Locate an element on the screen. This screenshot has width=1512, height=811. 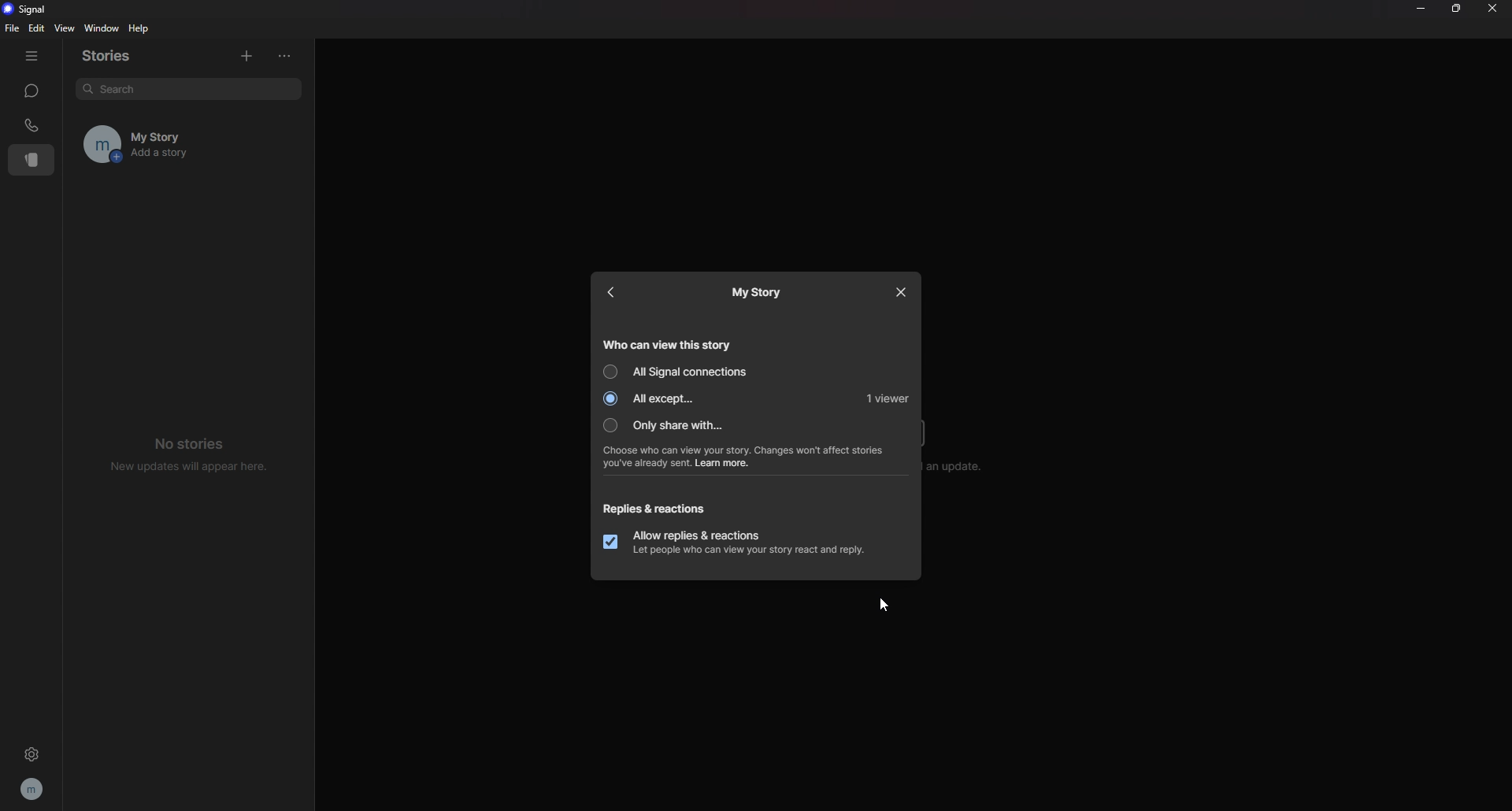
replies and reactions is located at coordinates (668, 508).